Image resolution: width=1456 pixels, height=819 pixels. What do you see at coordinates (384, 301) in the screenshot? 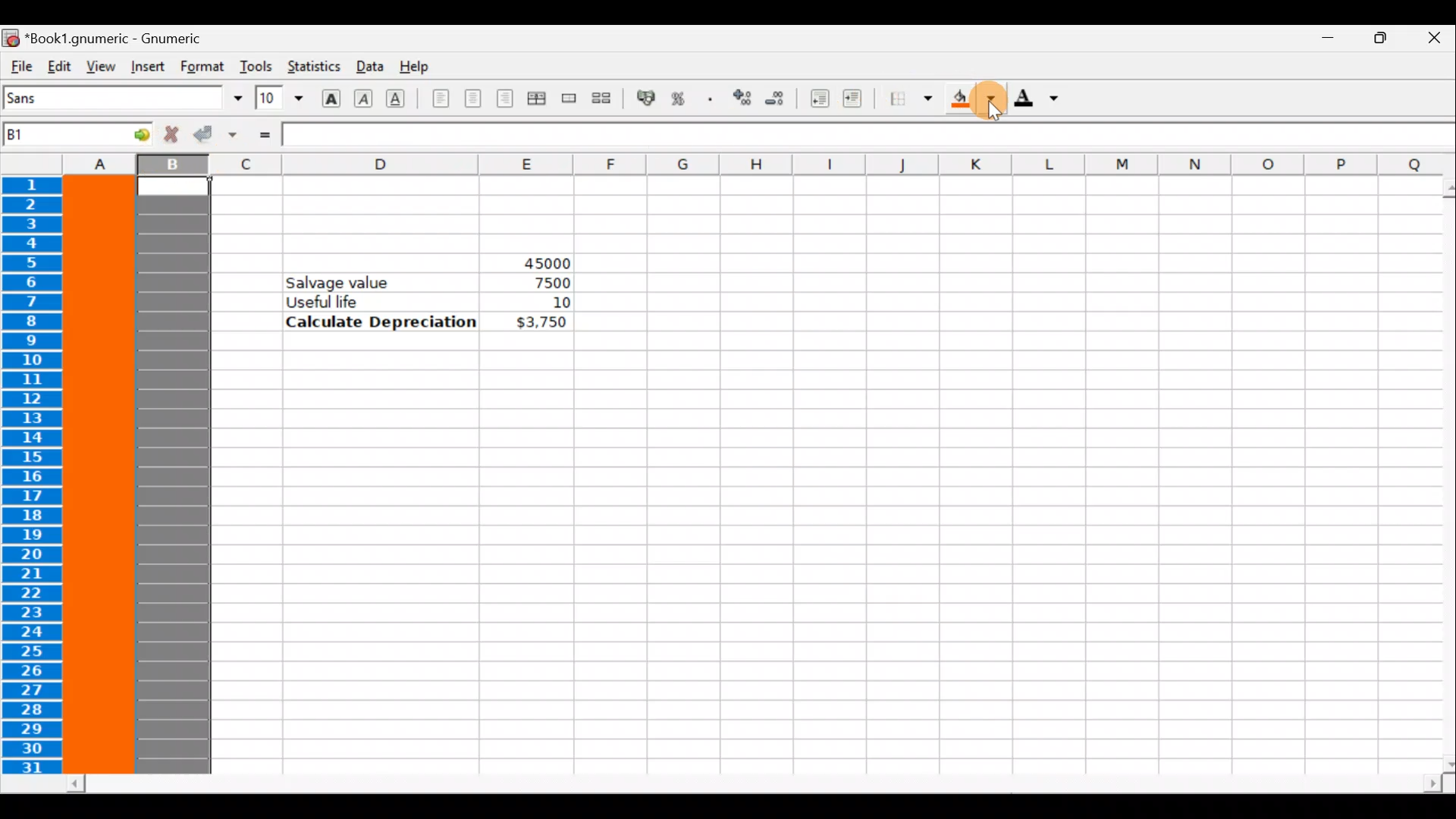
I see `Useful life` at bounding box center [384, 301].